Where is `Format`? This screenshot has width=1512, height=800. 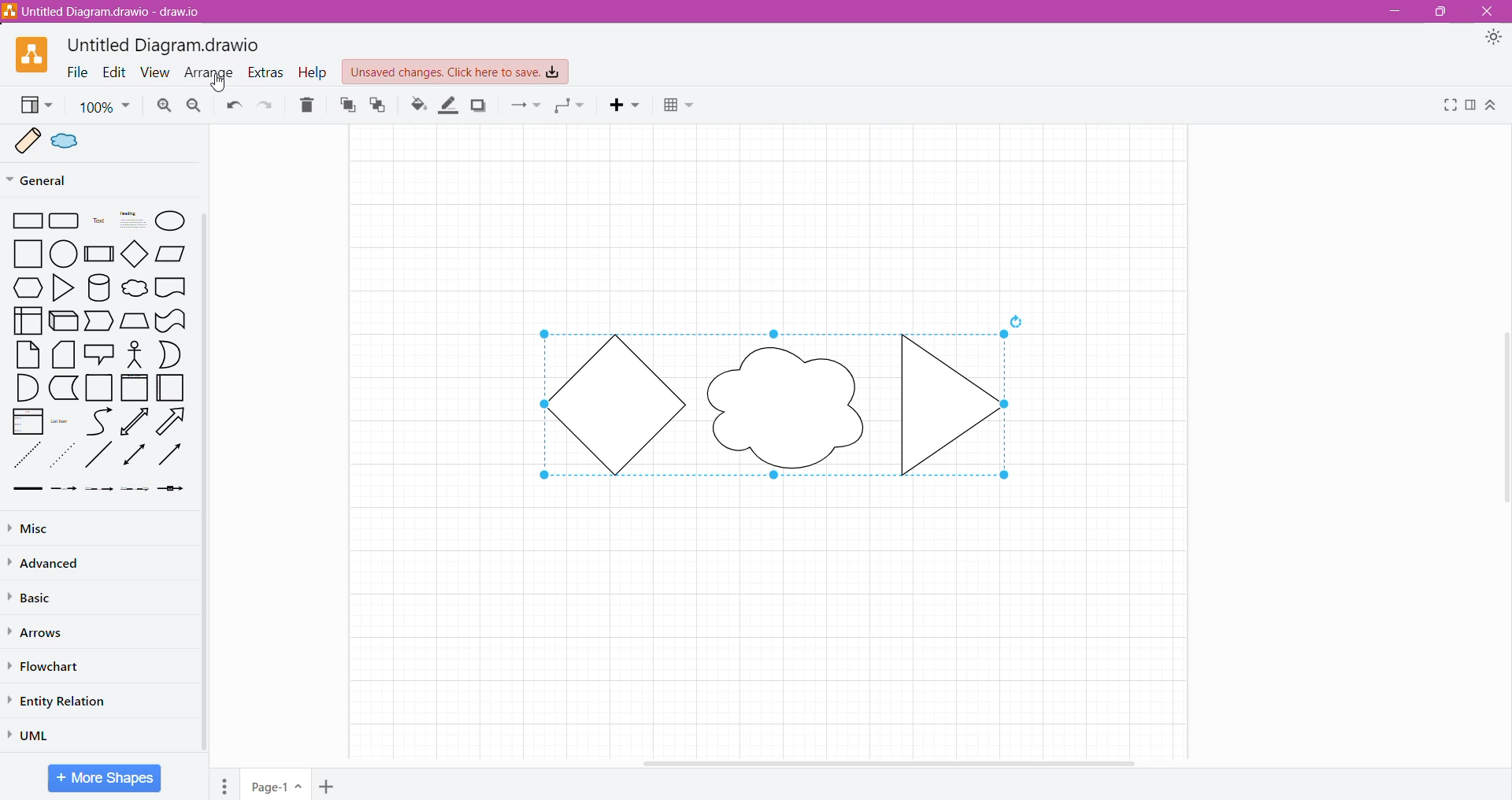 Format is located at coordinates (1470, 106).